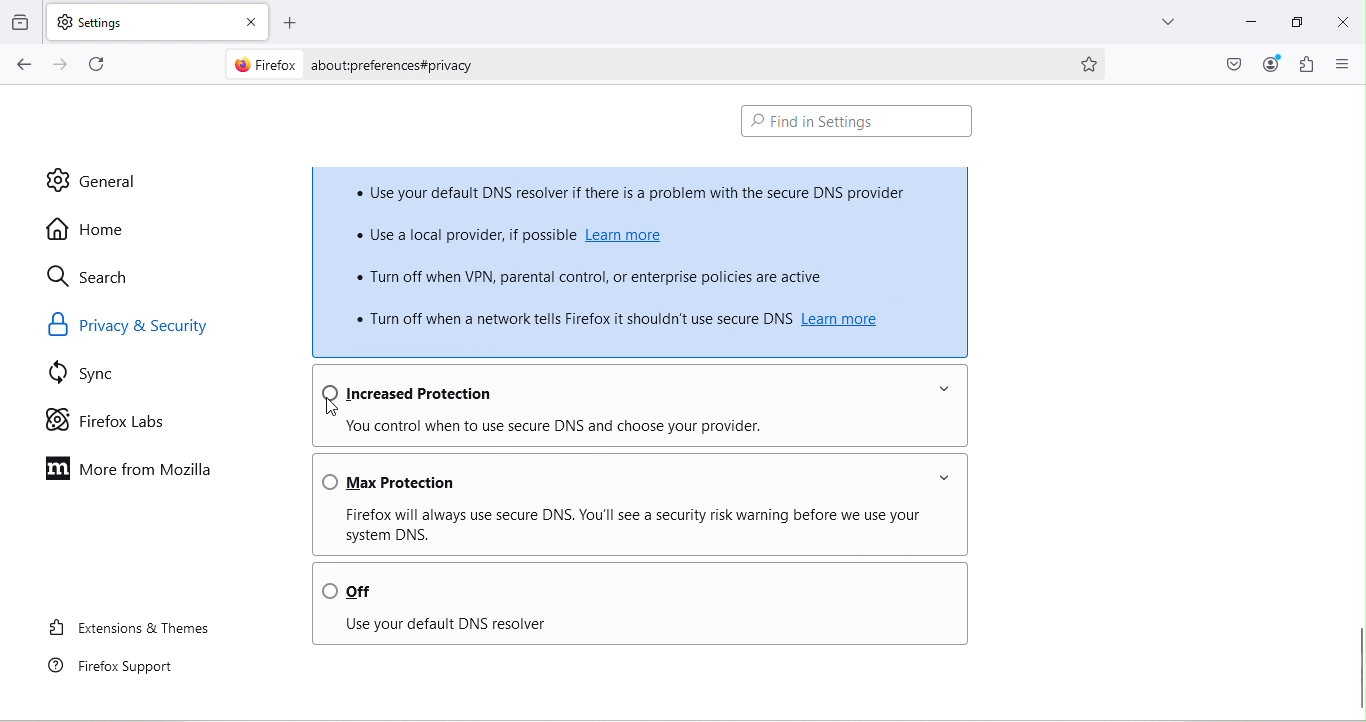 Image resolution: width=1366 pixels, height=722 pixels. What do you see at coordinates (856, 123) in the screenshot?
I see `Find in Settings` at bounding box center [856, 123].